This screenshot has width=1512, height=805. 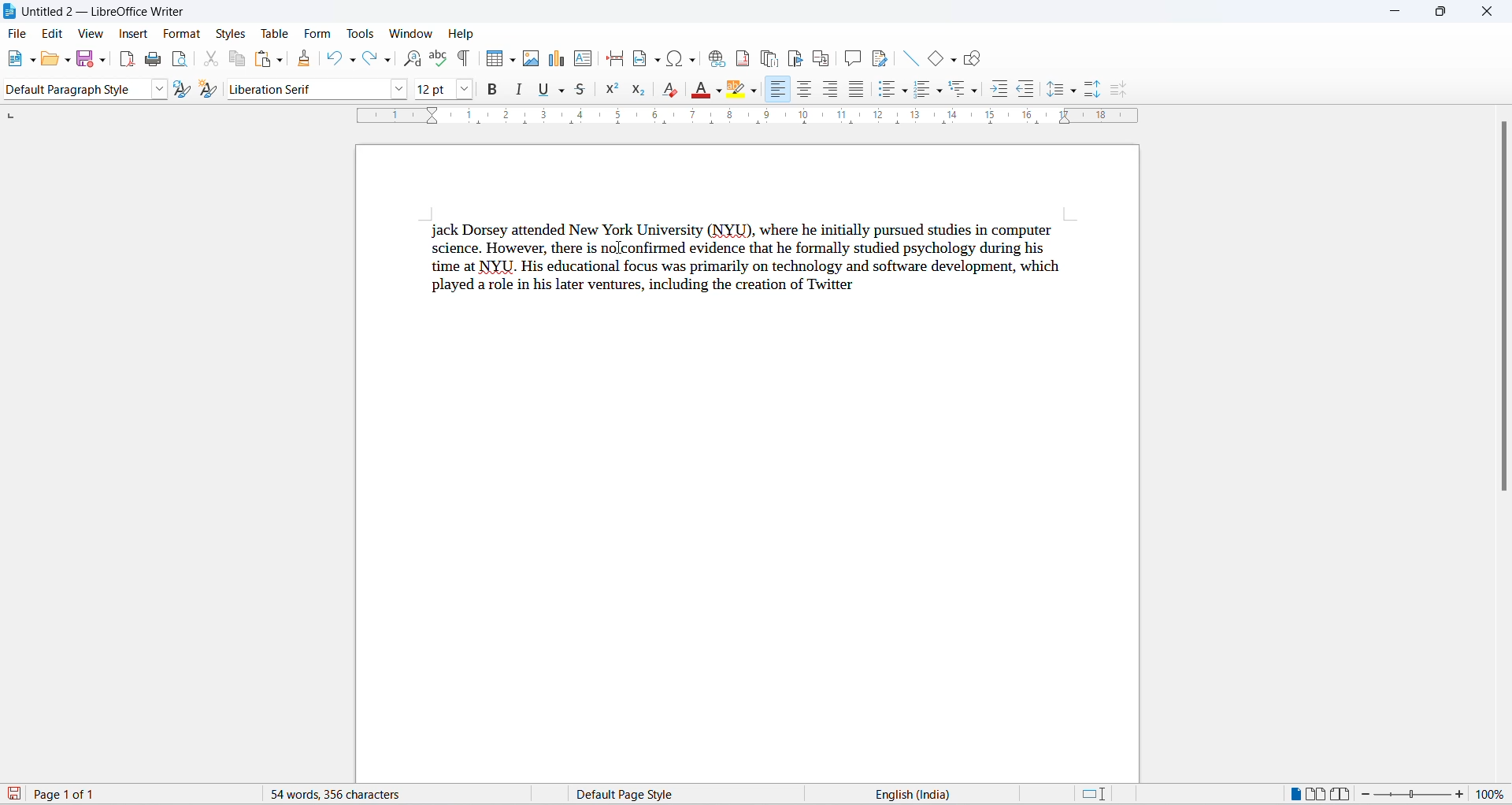 I want to click on form, so click(x=319, y=33).